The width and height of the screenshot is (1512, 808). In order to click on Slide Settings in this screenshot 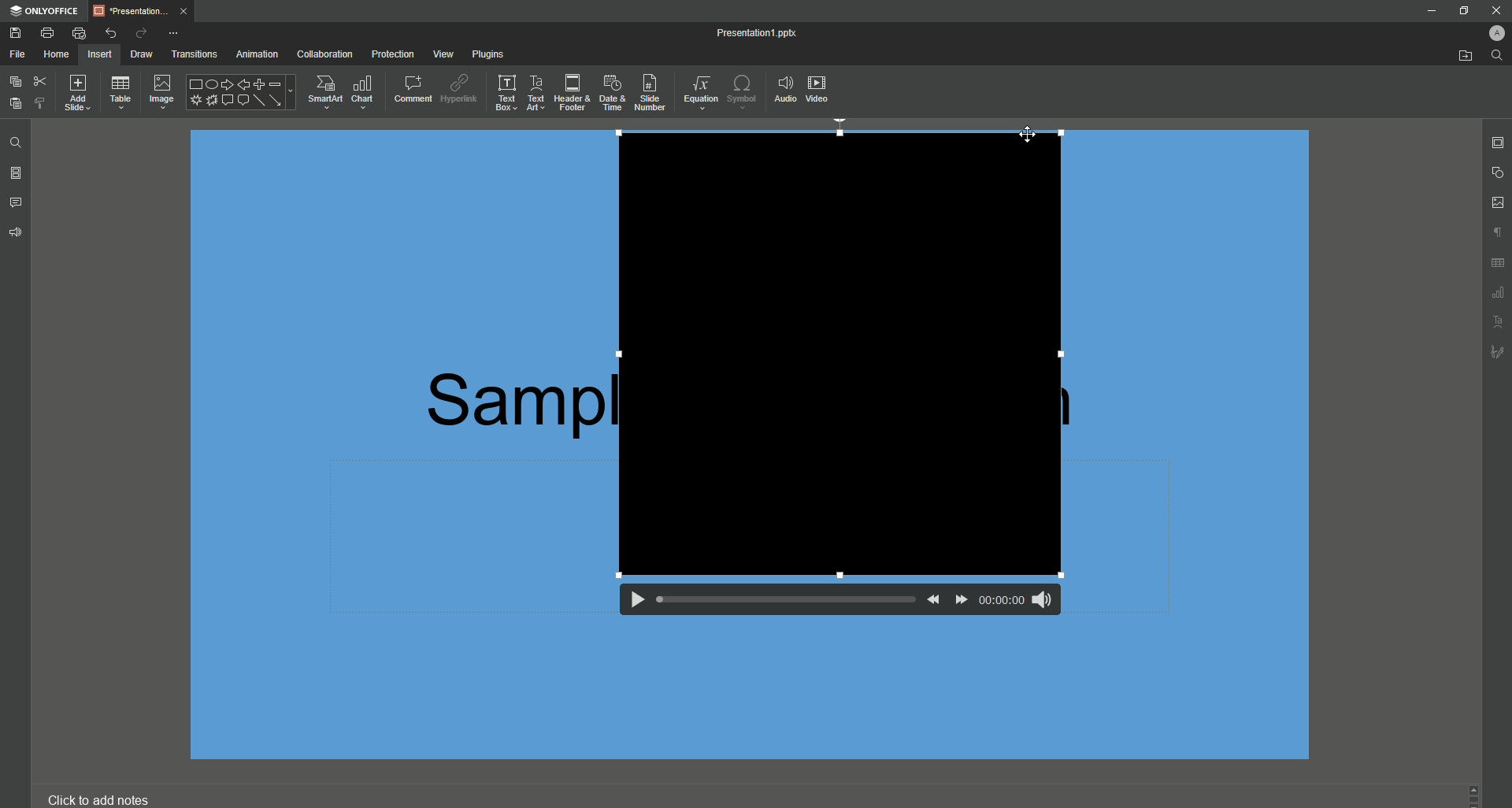, I will do `click(1499, 143)`.